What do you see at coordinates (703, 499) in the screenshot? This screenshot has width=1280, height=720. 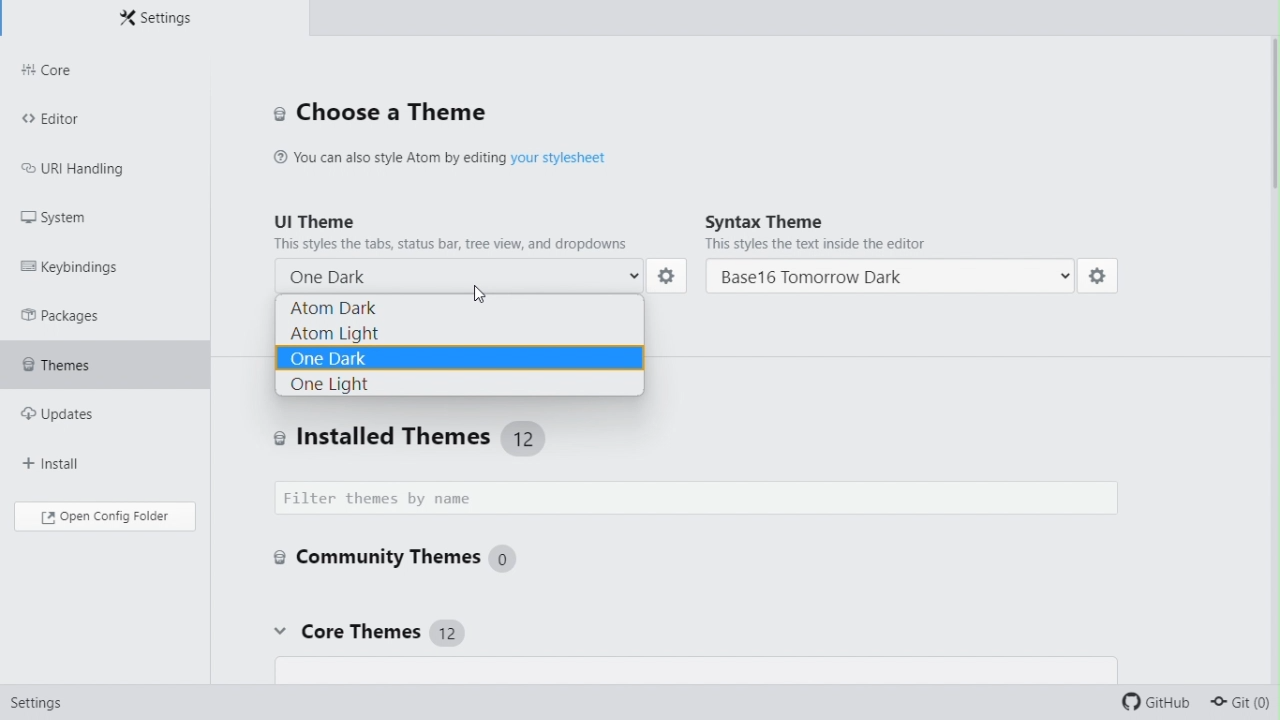 I see `filter themes by name` at bounding box center [703, 499].